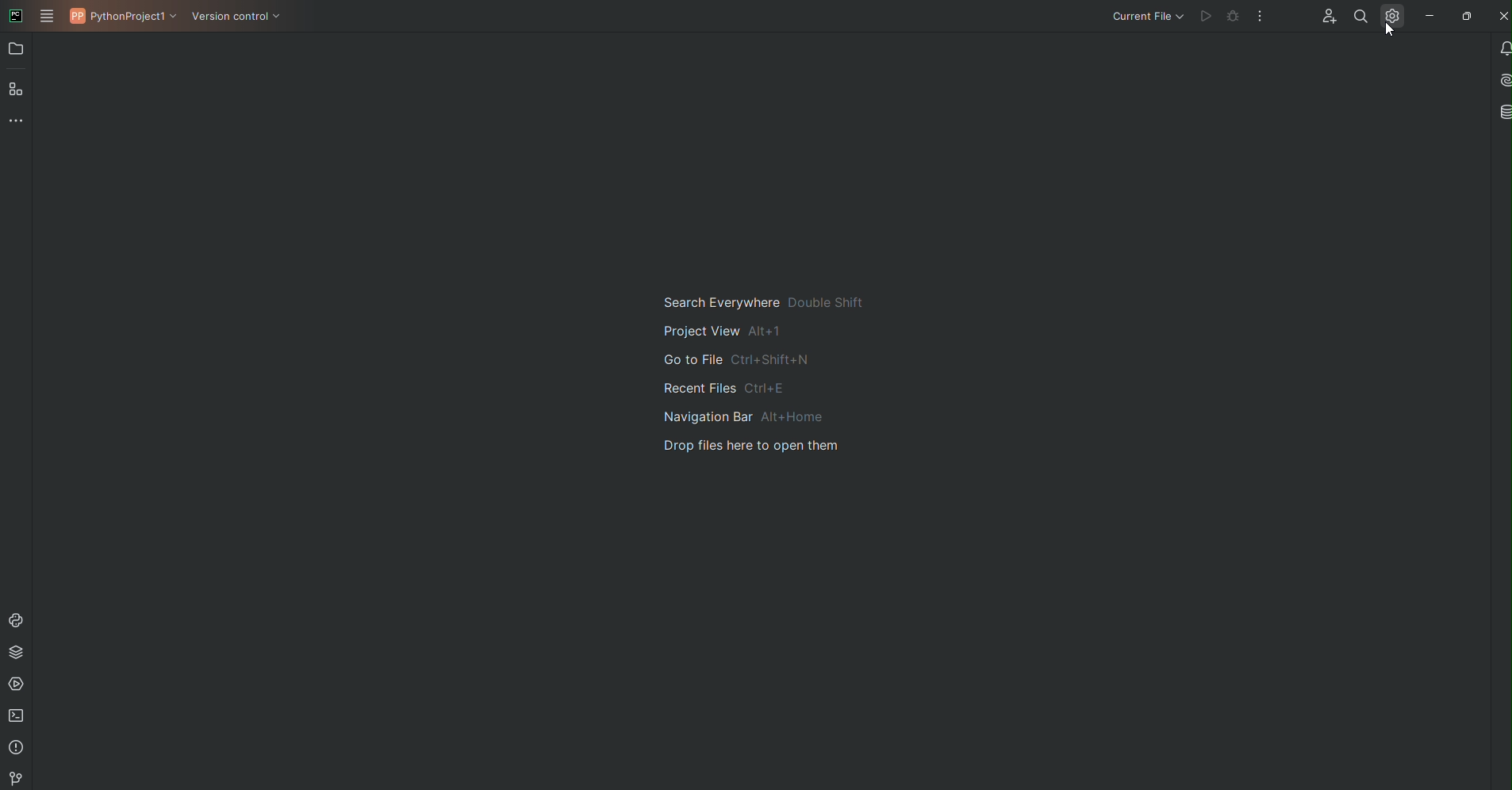 This screenshot has width=1512, height=790. What do you see at coordinates (720, 330) in the screenshot?
I see `project view` at bounding box center [720, 330].